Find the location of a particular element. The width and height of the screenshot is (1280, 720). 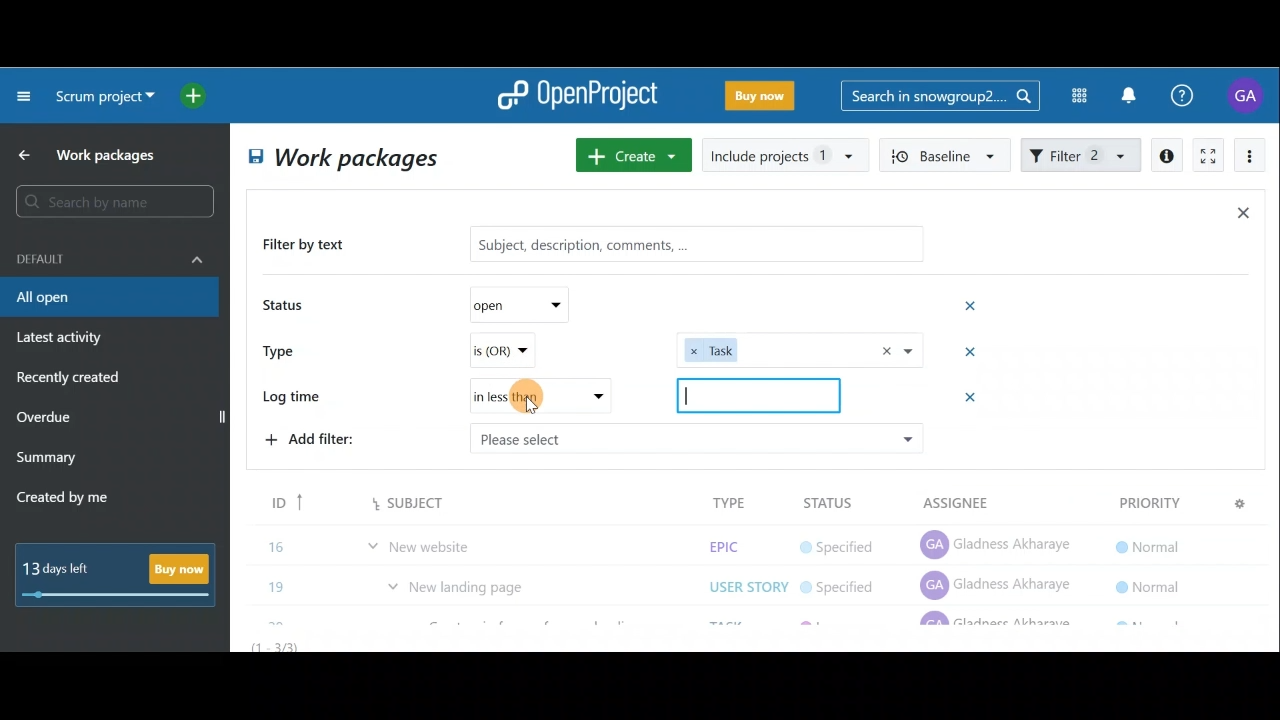

open is located at coordinates (528, 303).